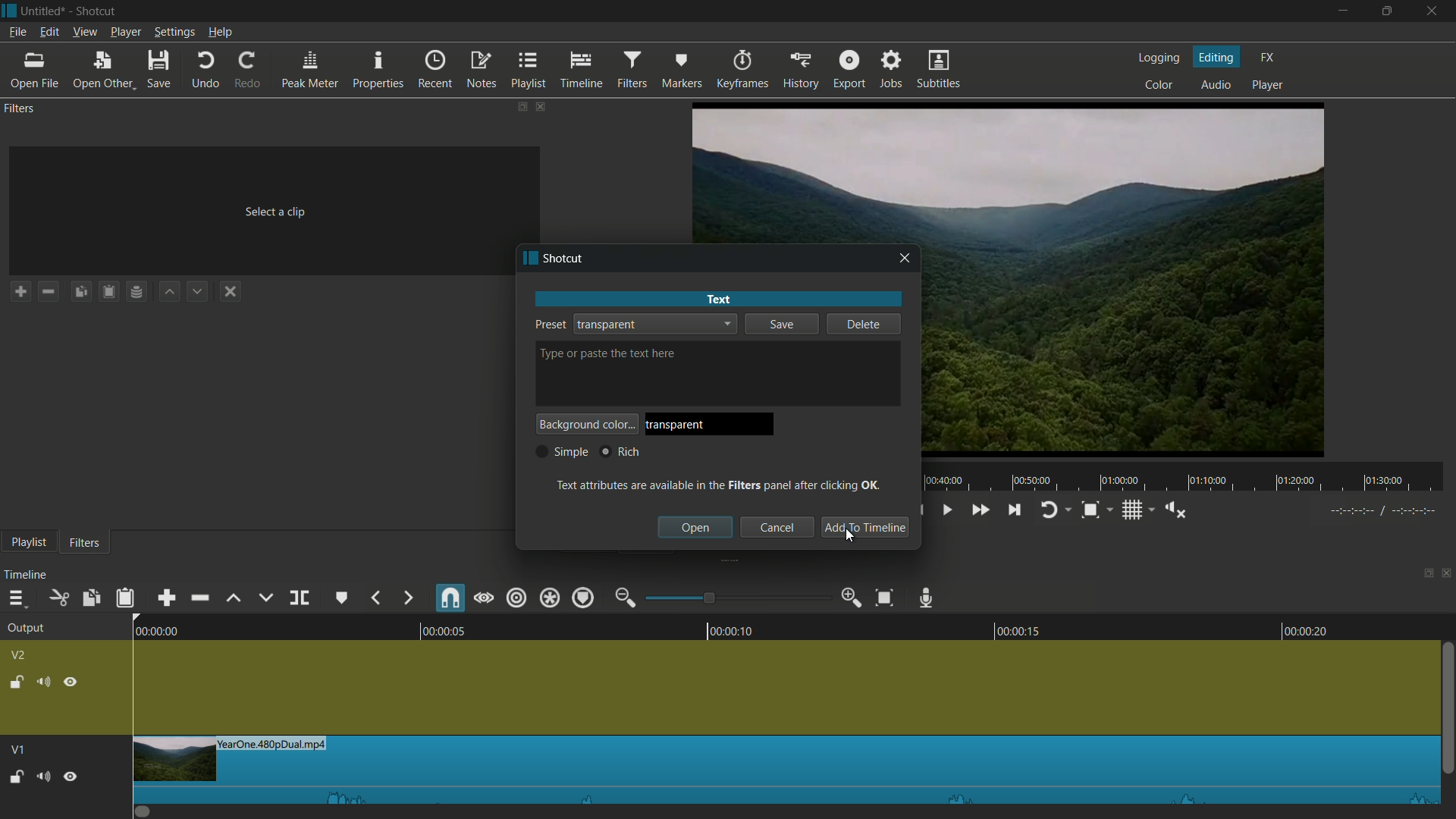 Image resolution: width=1456 pixels, height=819 pixels. Describe the element at coordinates (1217, 57) in the screenshot. I see `editing` at that location.